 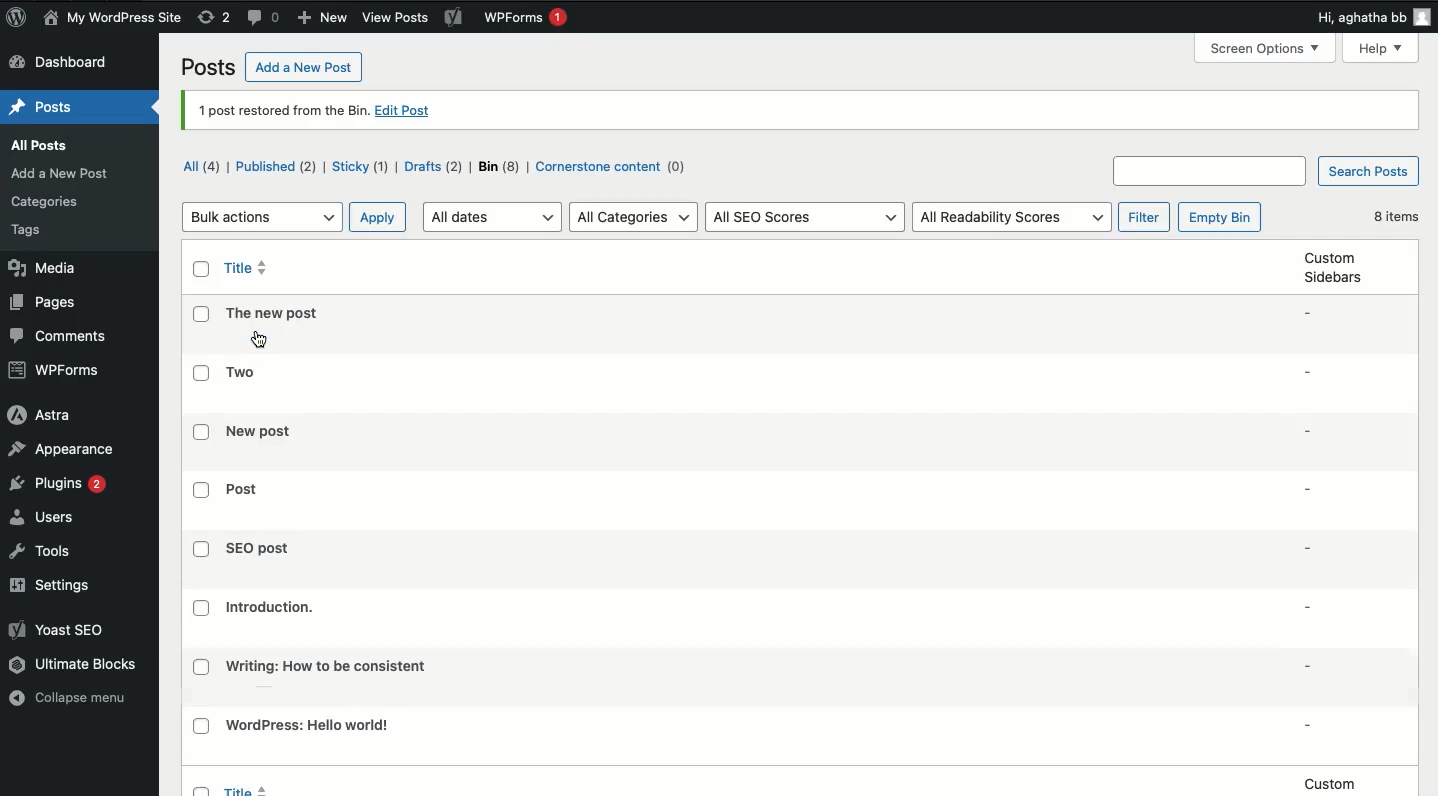 What do you see at coordinates (412, 17) in the screenshot?
I see `view posts` at bounding box center [412, 17].